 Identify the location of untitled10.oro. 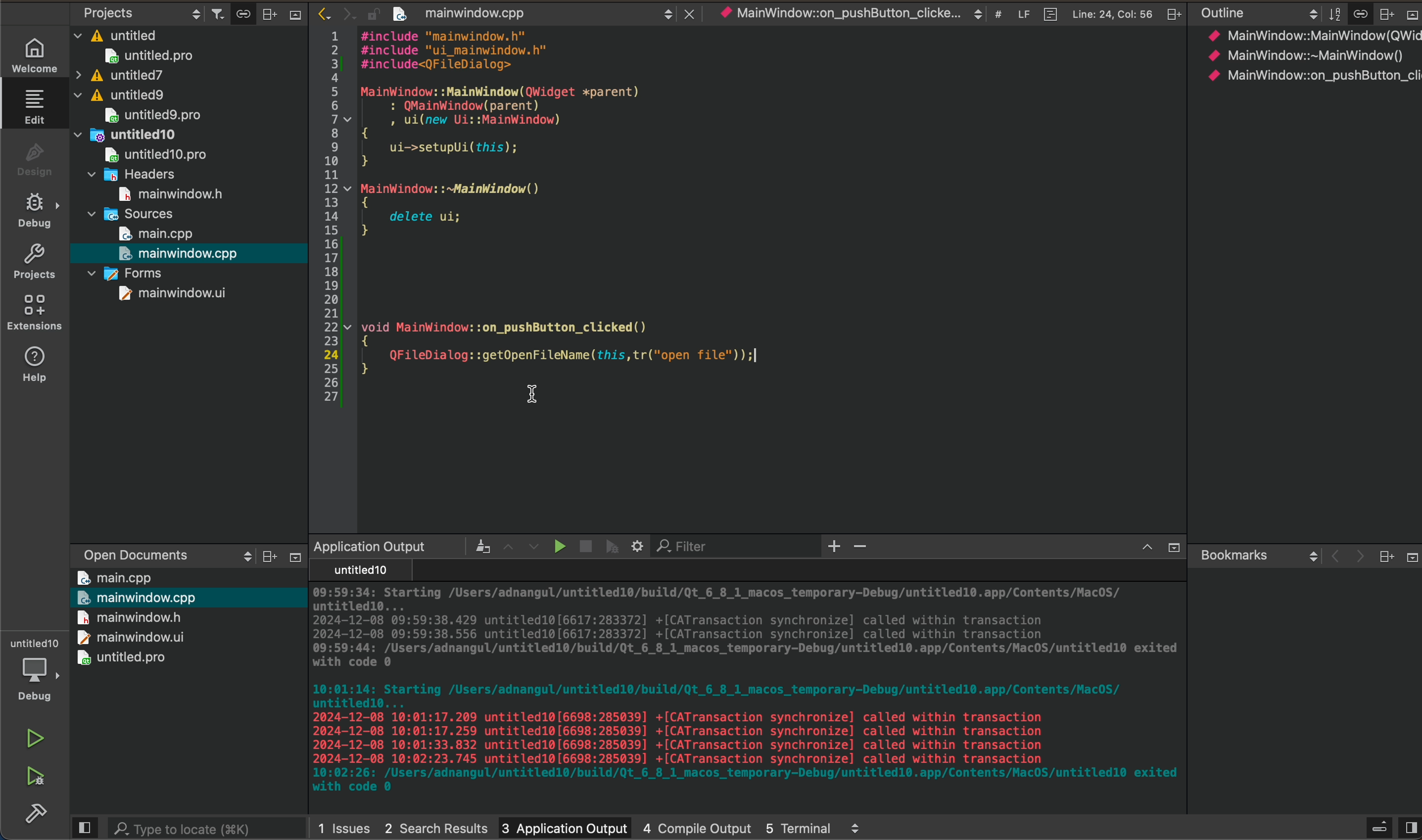
(152, 153).